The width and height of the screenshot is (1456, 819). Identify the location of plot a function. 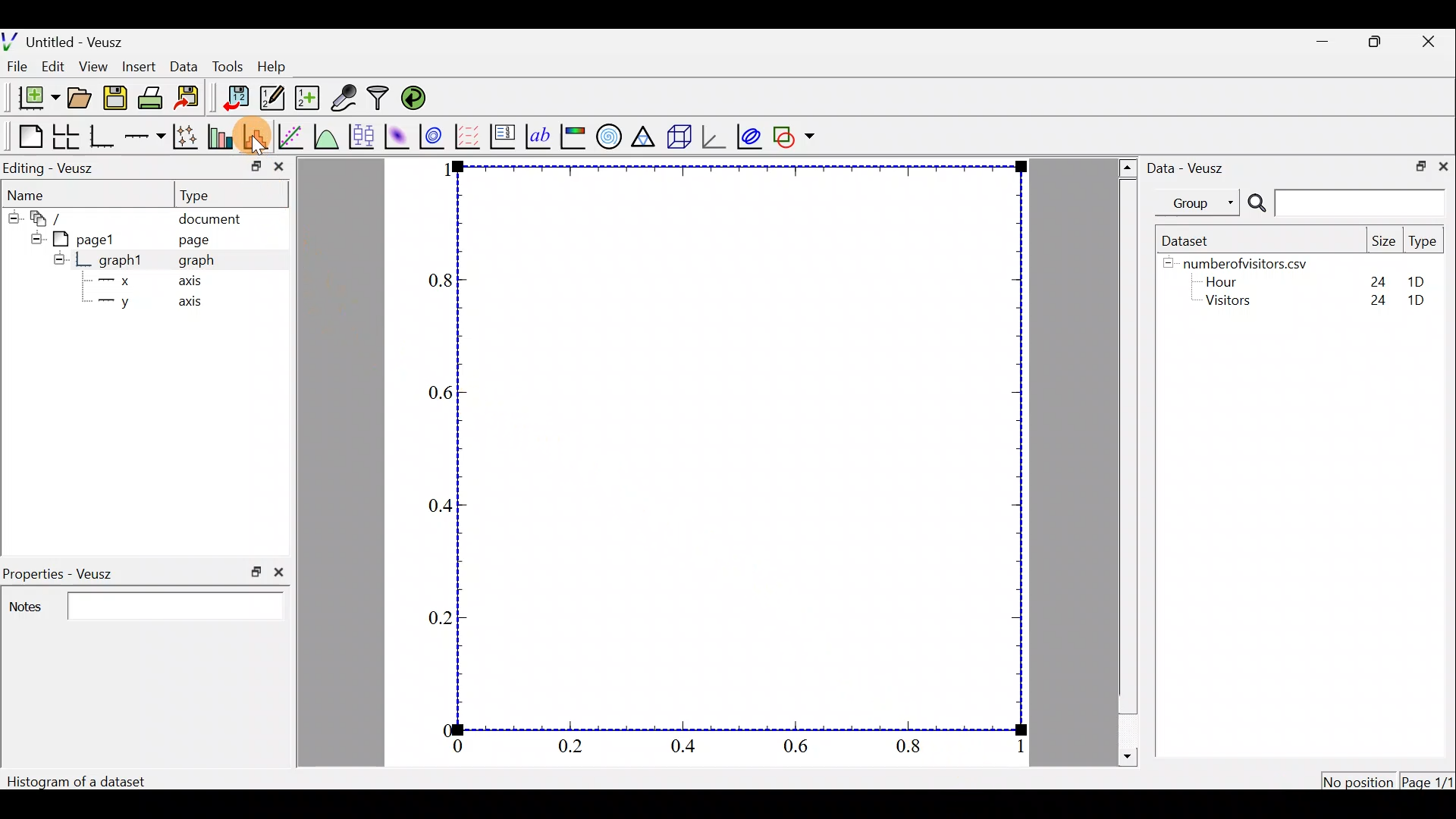
(328, 136).